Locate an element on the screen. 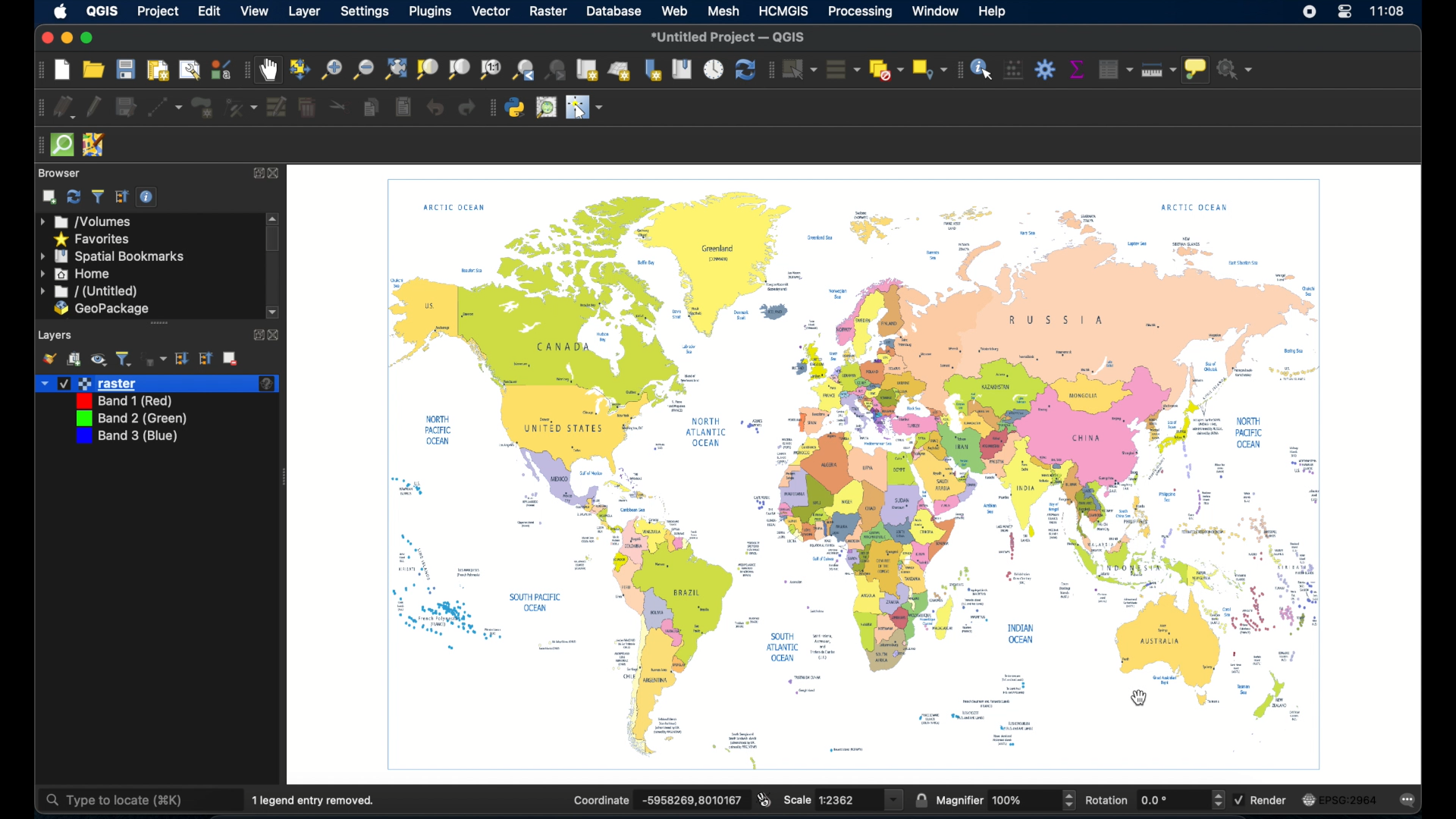 The height and width of the screenshot is (819, 1456). scroll up arrow is located at coordinates (275, 218).